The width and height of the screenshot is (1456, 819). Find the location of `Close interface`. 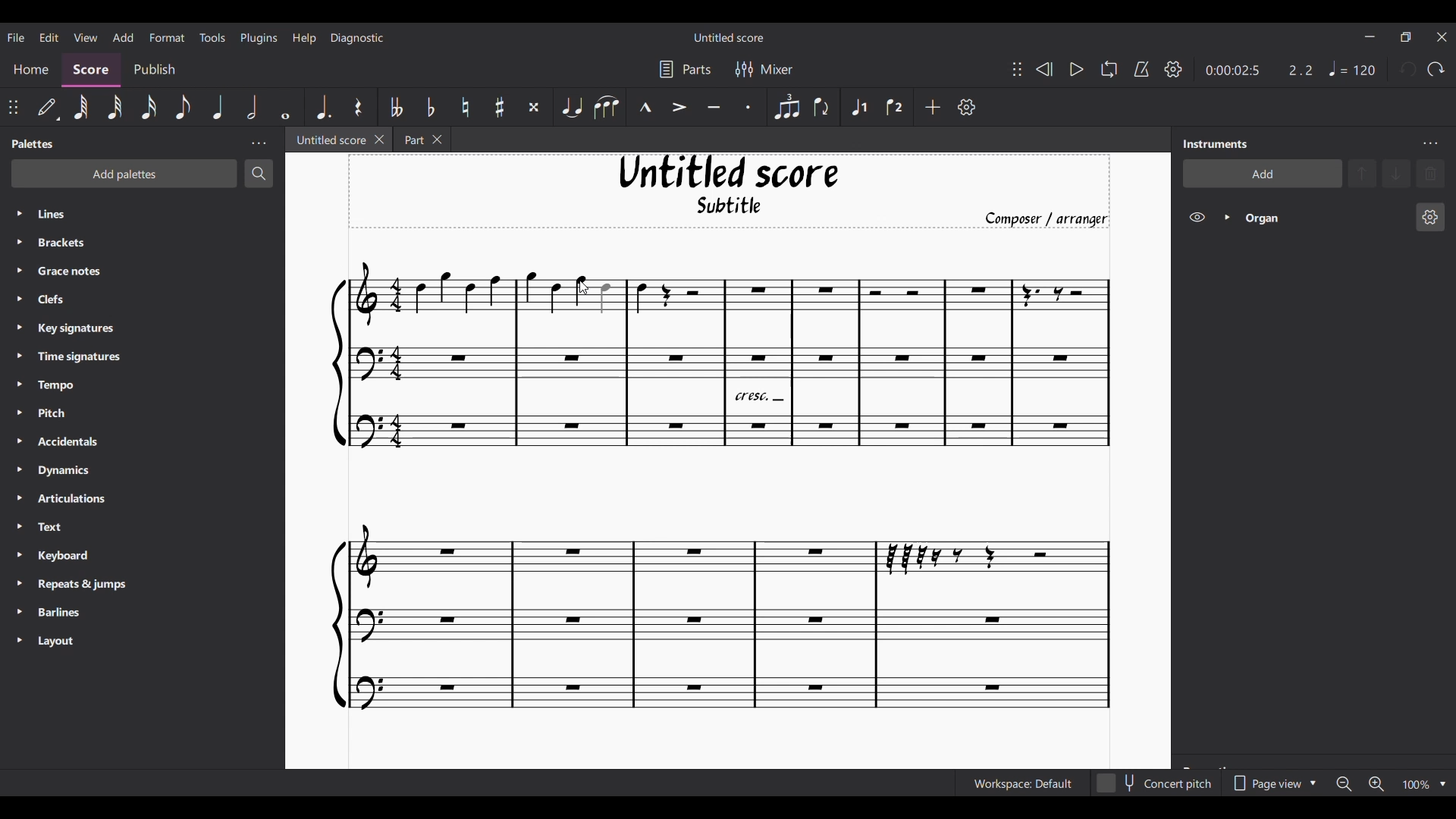

Close interface is located at coordinates (1442, 37).